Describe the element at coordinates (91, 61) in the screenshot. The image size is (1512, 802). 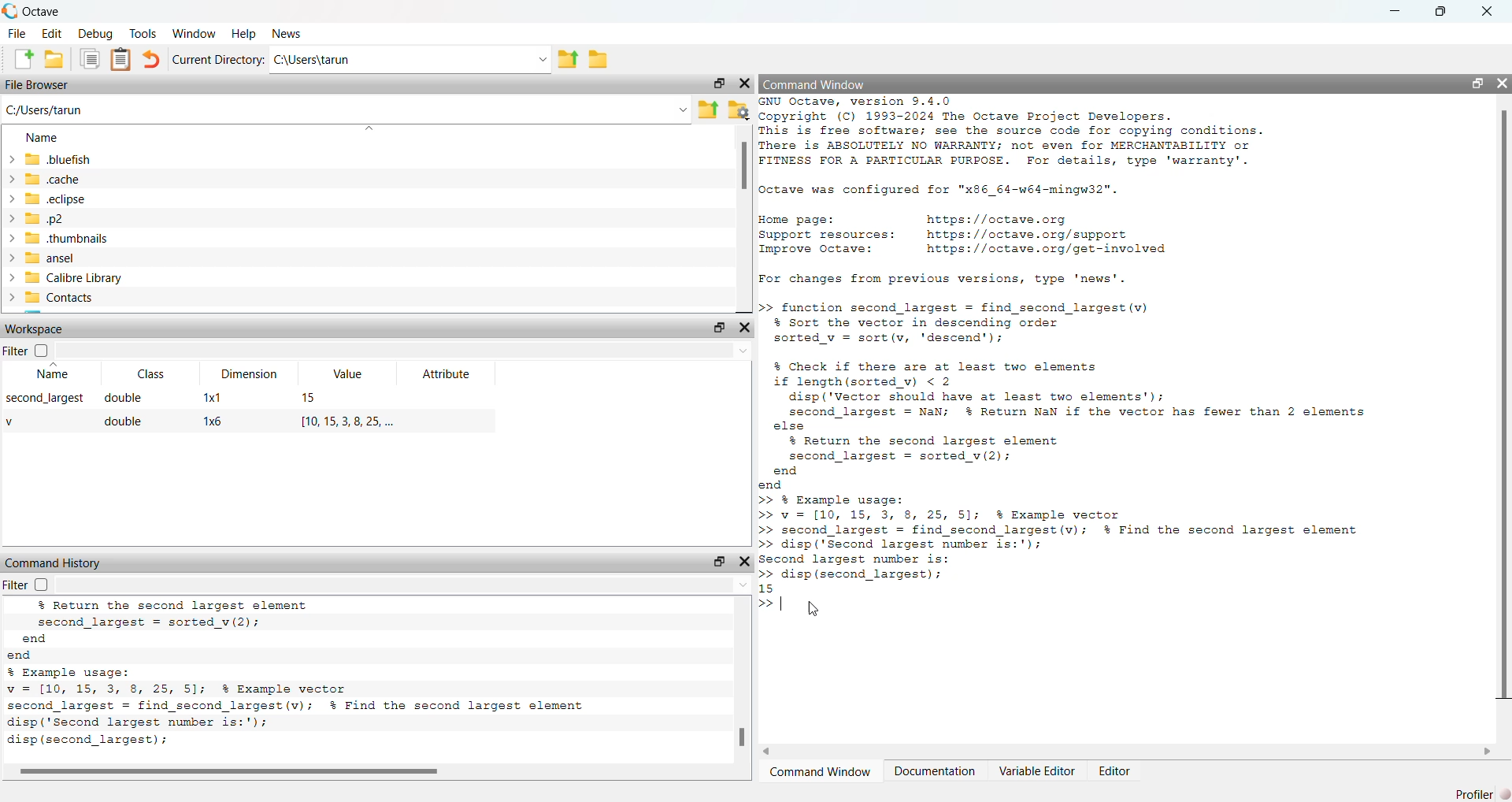
I see `copy` at that location.